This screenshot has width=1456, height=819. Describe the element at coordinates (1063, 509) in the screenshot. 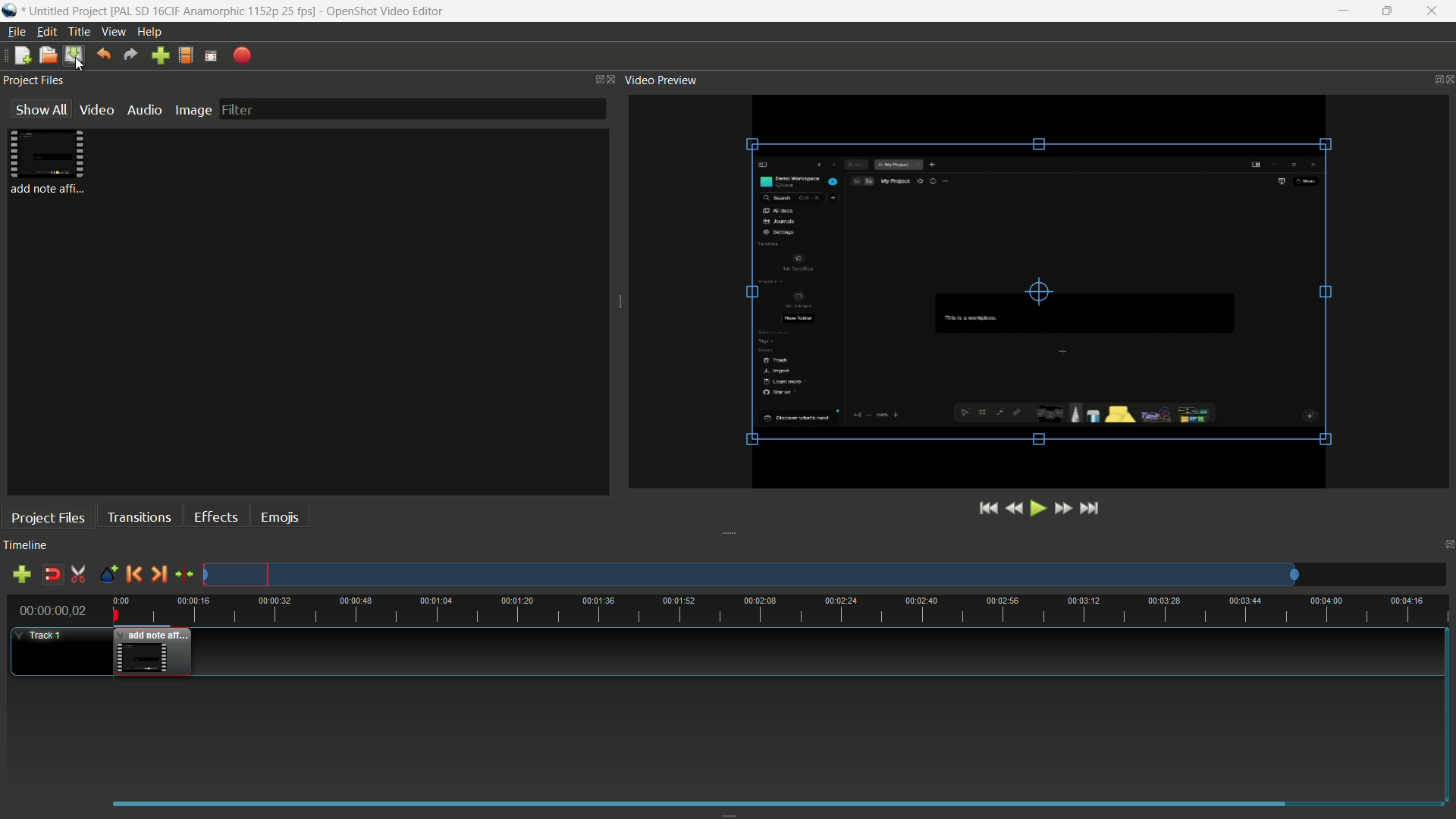

I see `fast forward` at that location.